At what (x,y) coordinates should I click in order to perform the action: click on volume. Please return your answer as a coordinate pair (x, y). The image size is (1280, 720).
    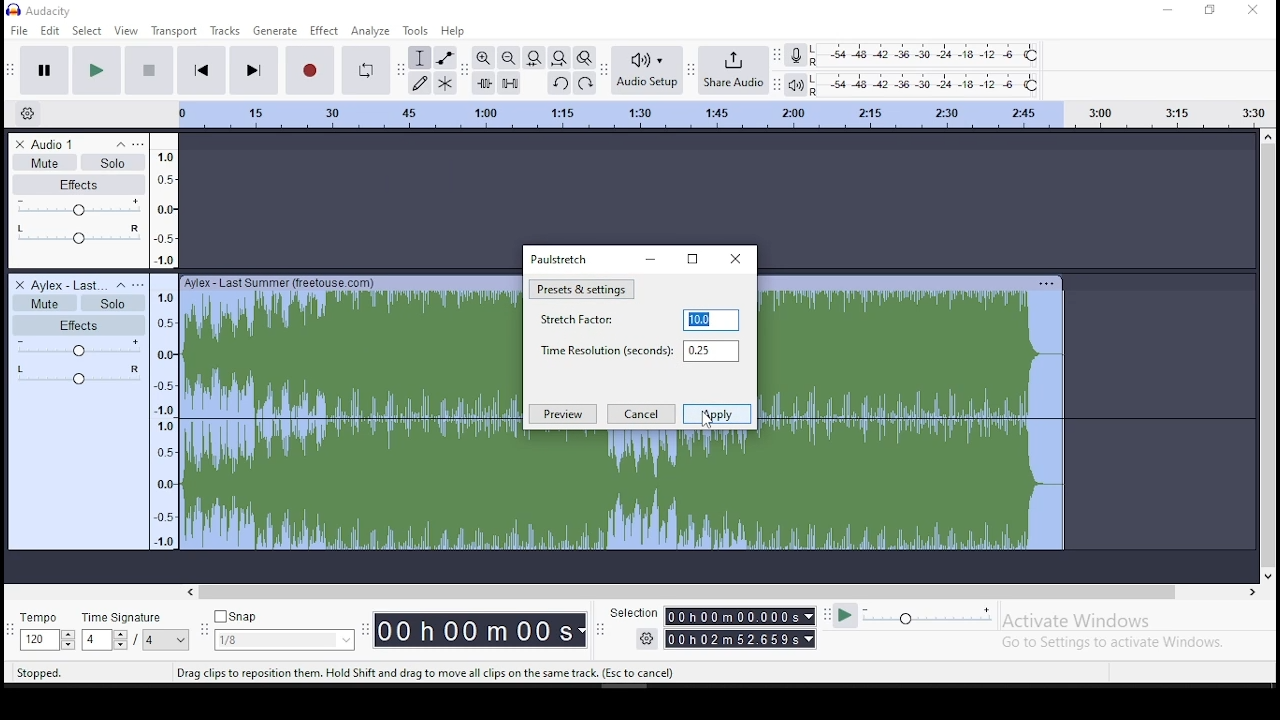
    Looking at the image, I should click on (83, 350).